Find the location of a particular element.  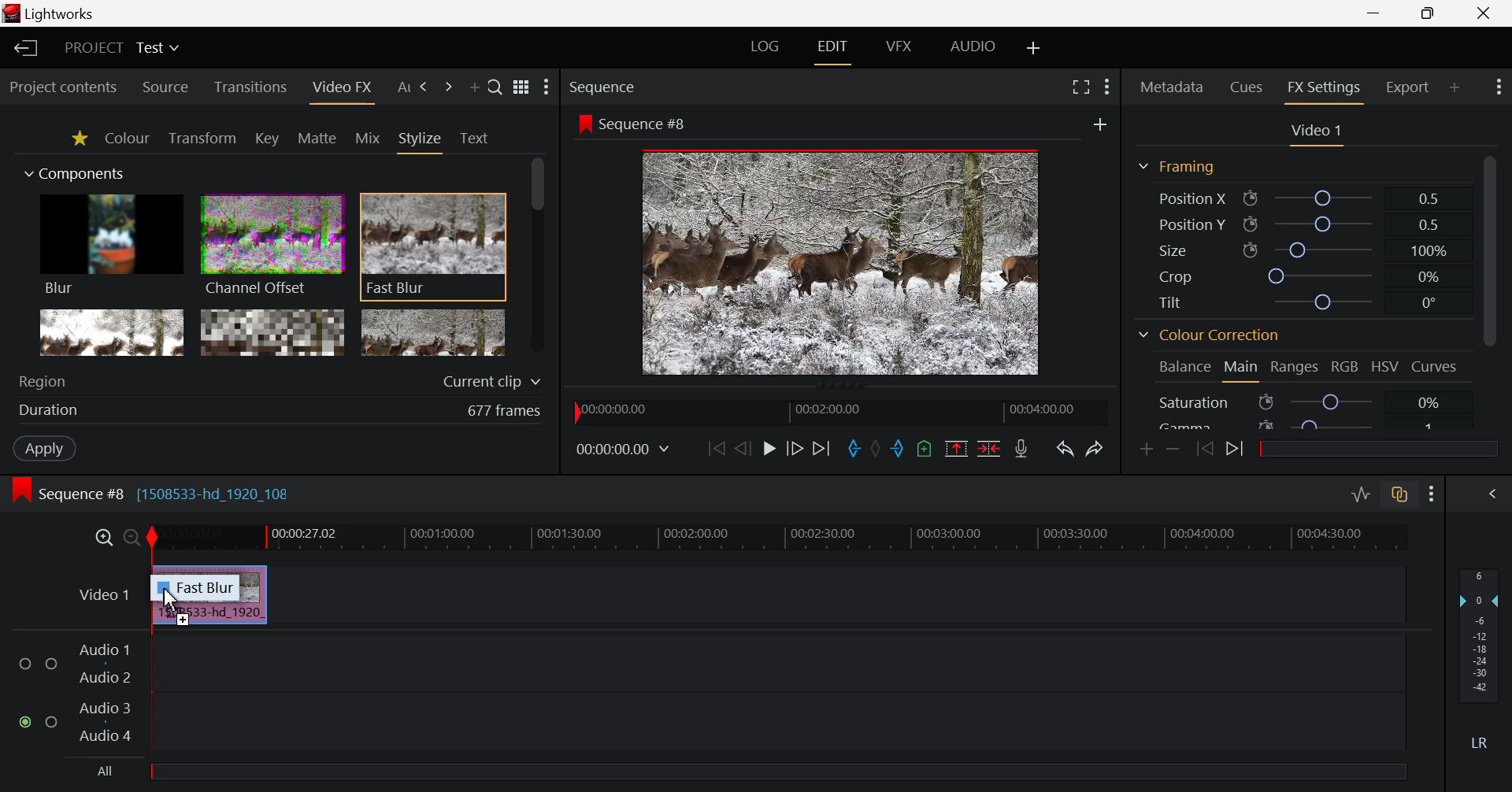

Toggle Audio Levels Editing is located at coordinates (1362, 494).